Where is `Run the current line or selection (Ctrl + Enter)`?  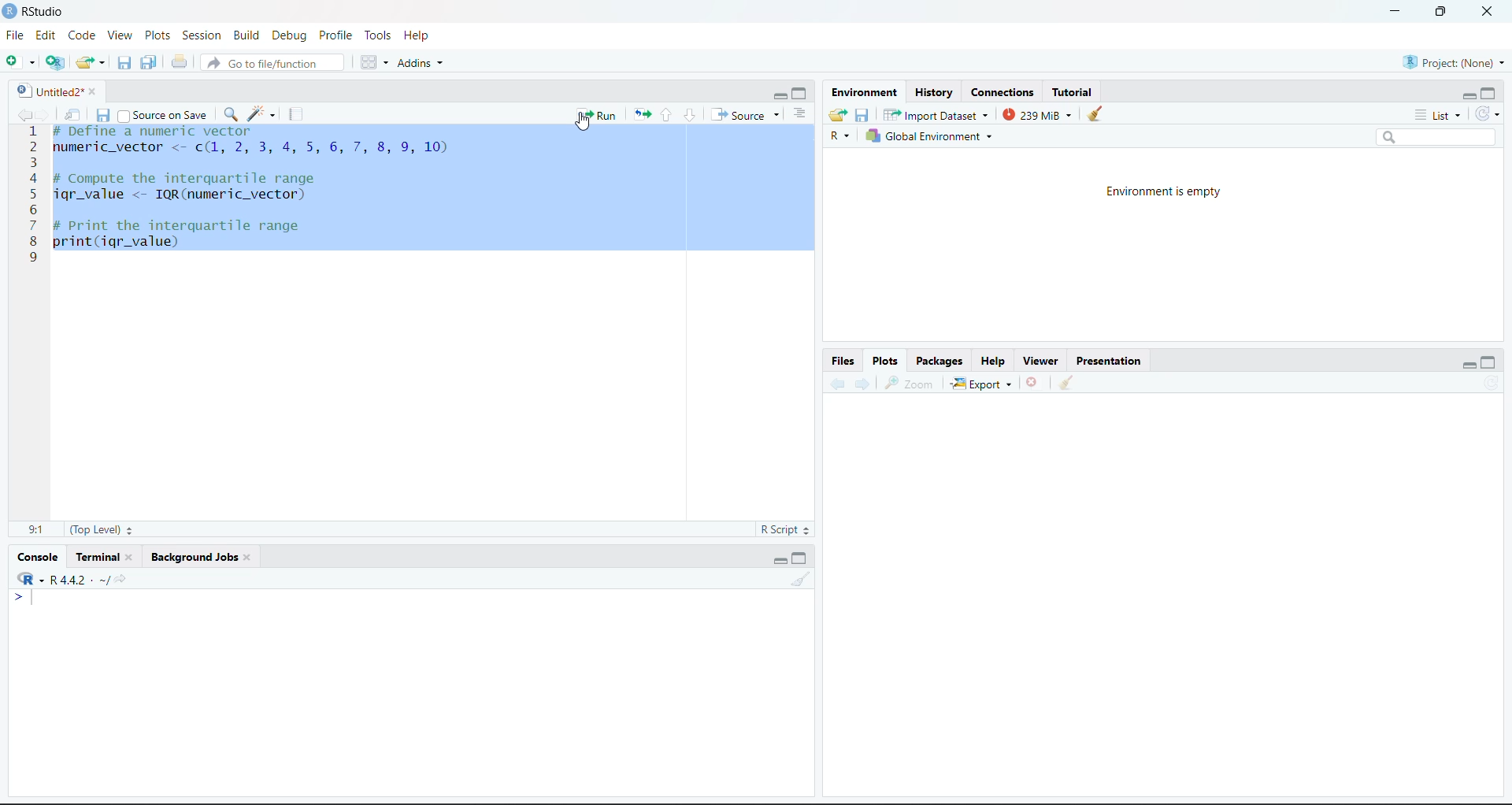
Run the current line or selection (Ctrl + Enter) is located at coordinates (597, 113).